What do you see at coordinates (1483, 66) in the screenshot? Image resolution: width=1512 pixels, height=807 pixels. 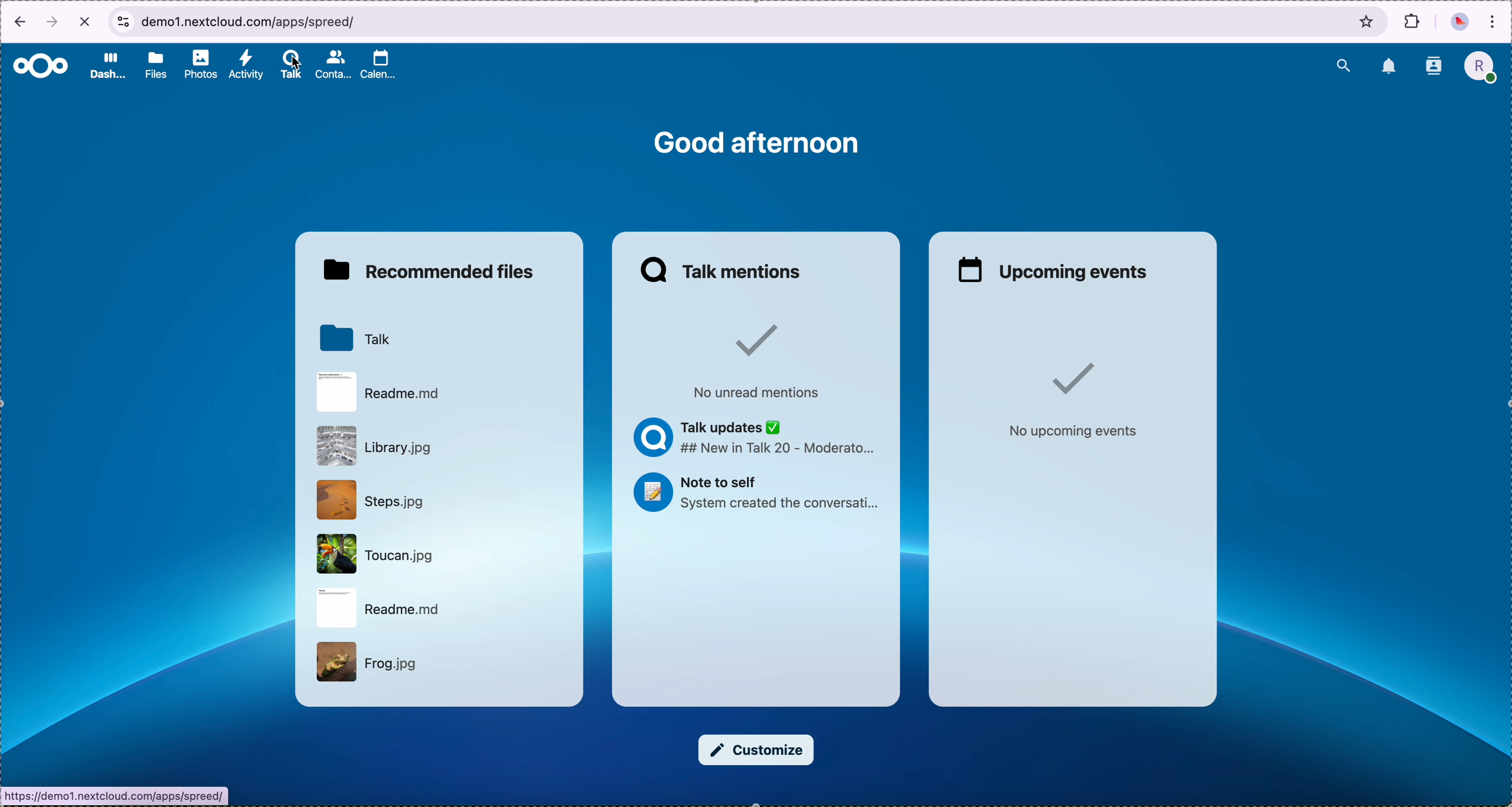 I see `profile picture` at bounding box center [1483, 66].